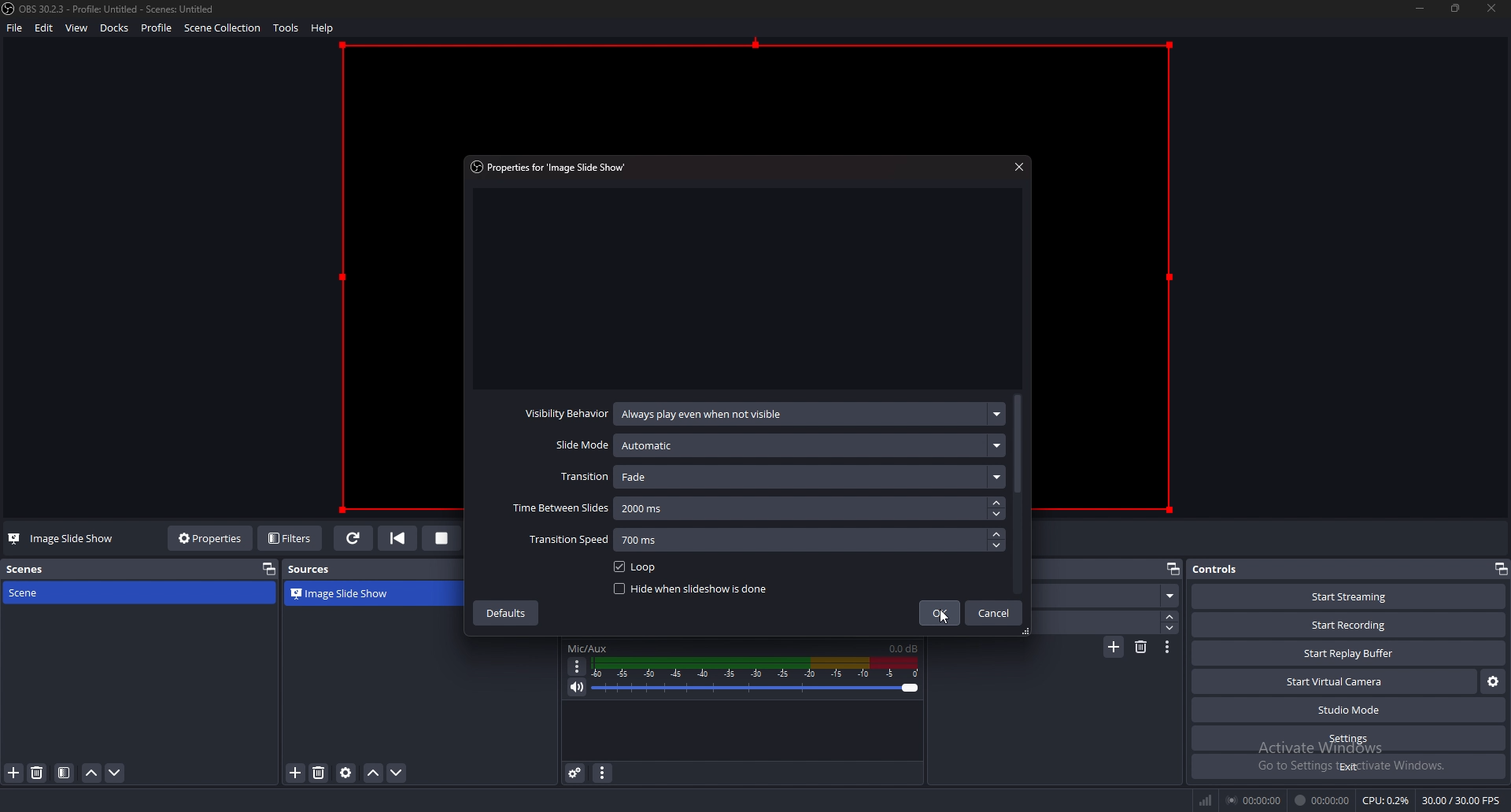  Describe the element at coordinates (1016, 166) in the screenshot. I see `close` at that location.